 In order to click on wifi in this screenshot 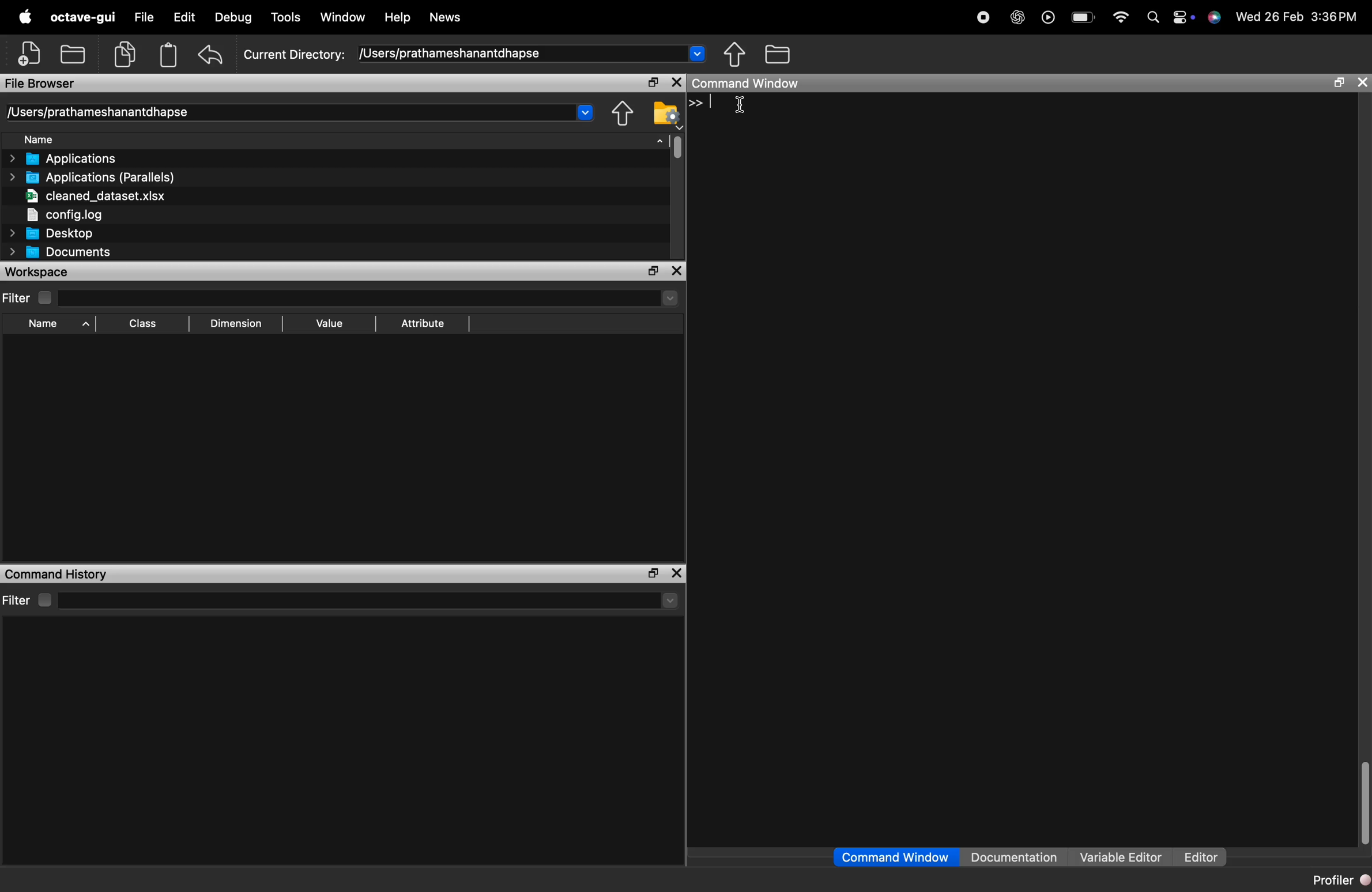, I will do `click(1124, 18)`.